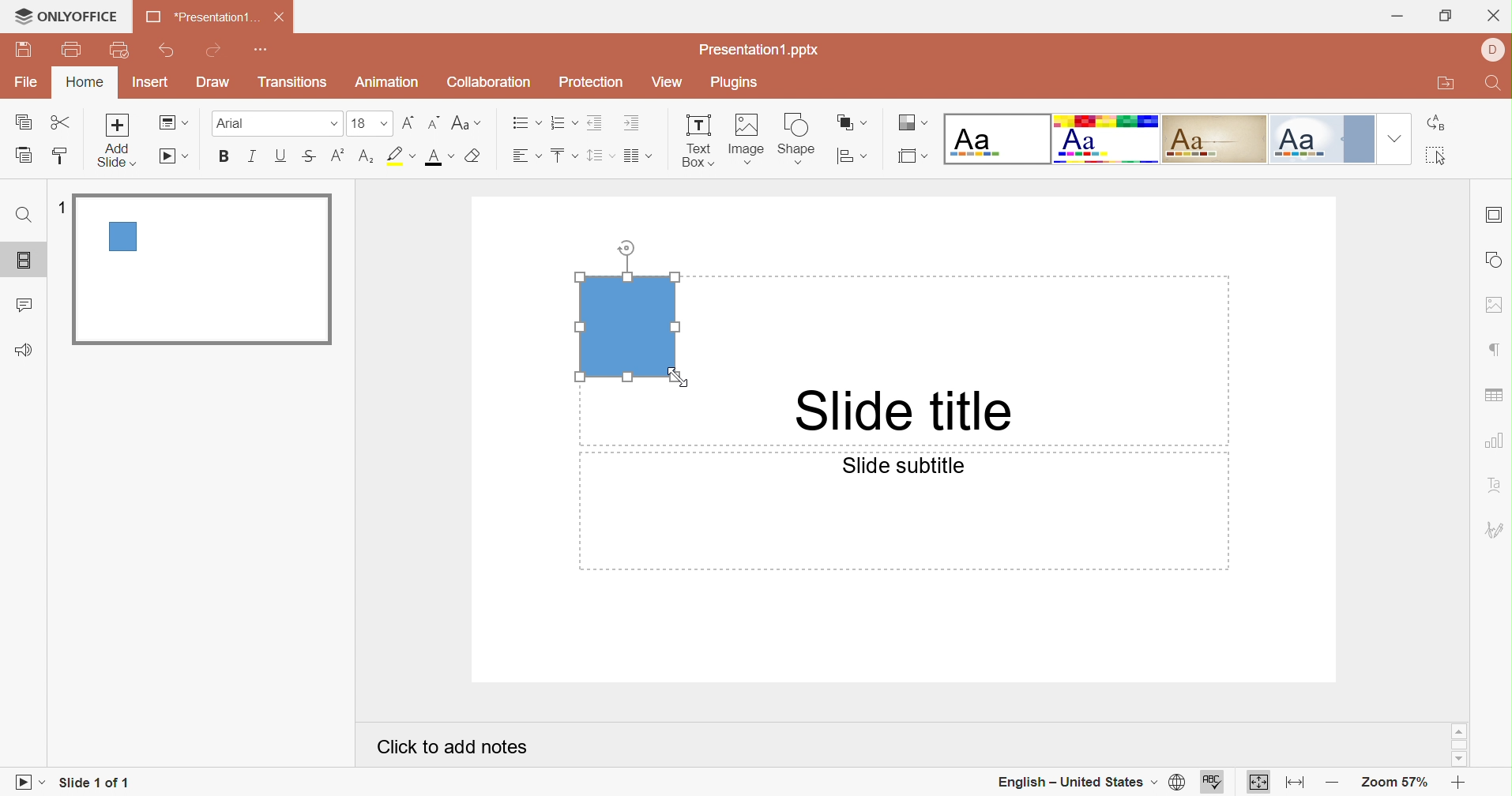  Describe the element at coordinates (1213, 784) in the screenshot. I see `Spell checking` at that location.